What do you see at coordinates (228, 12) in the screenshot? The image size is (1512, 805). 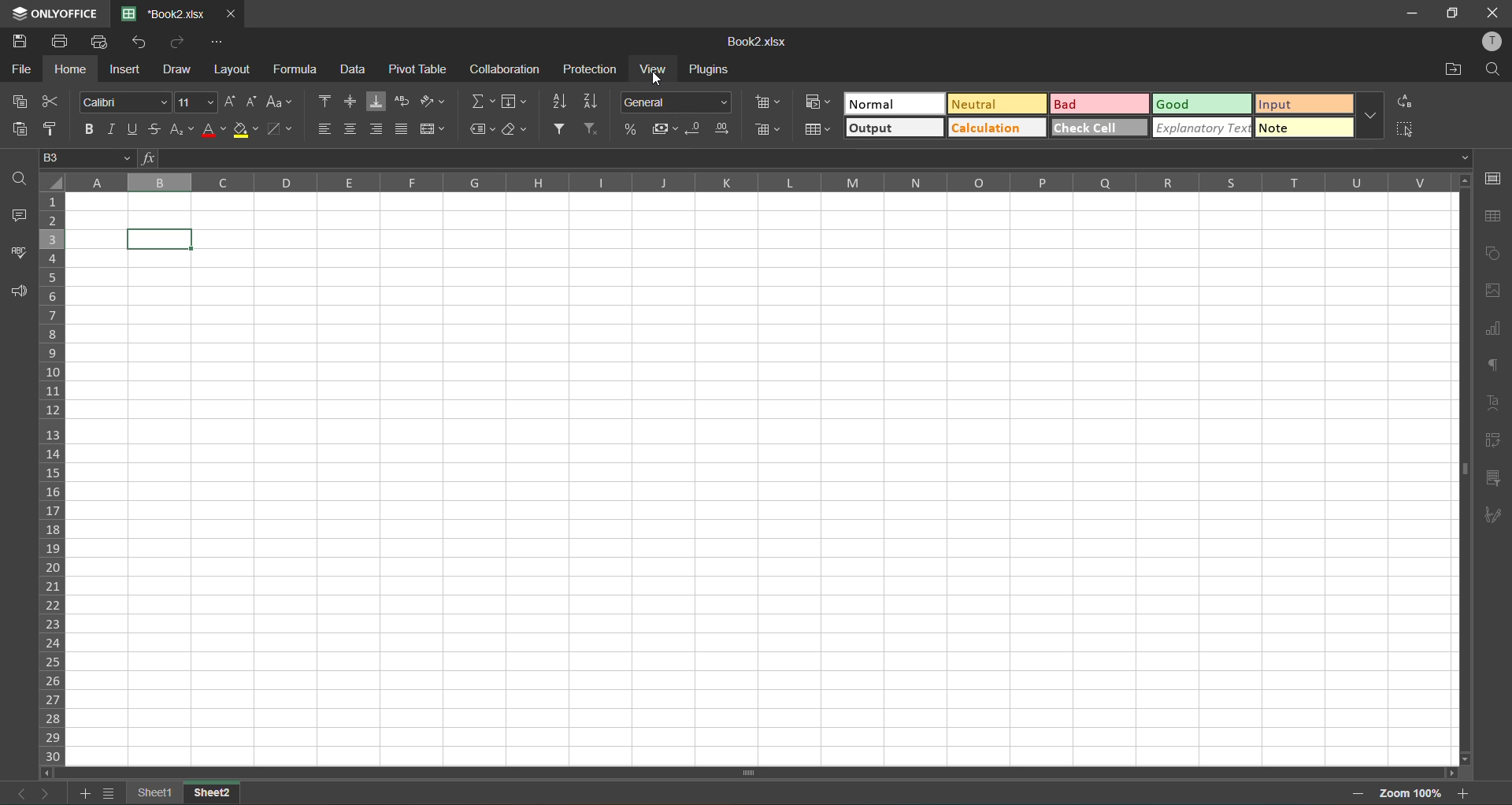 I see `close tab` at bounding box center [228, 12].